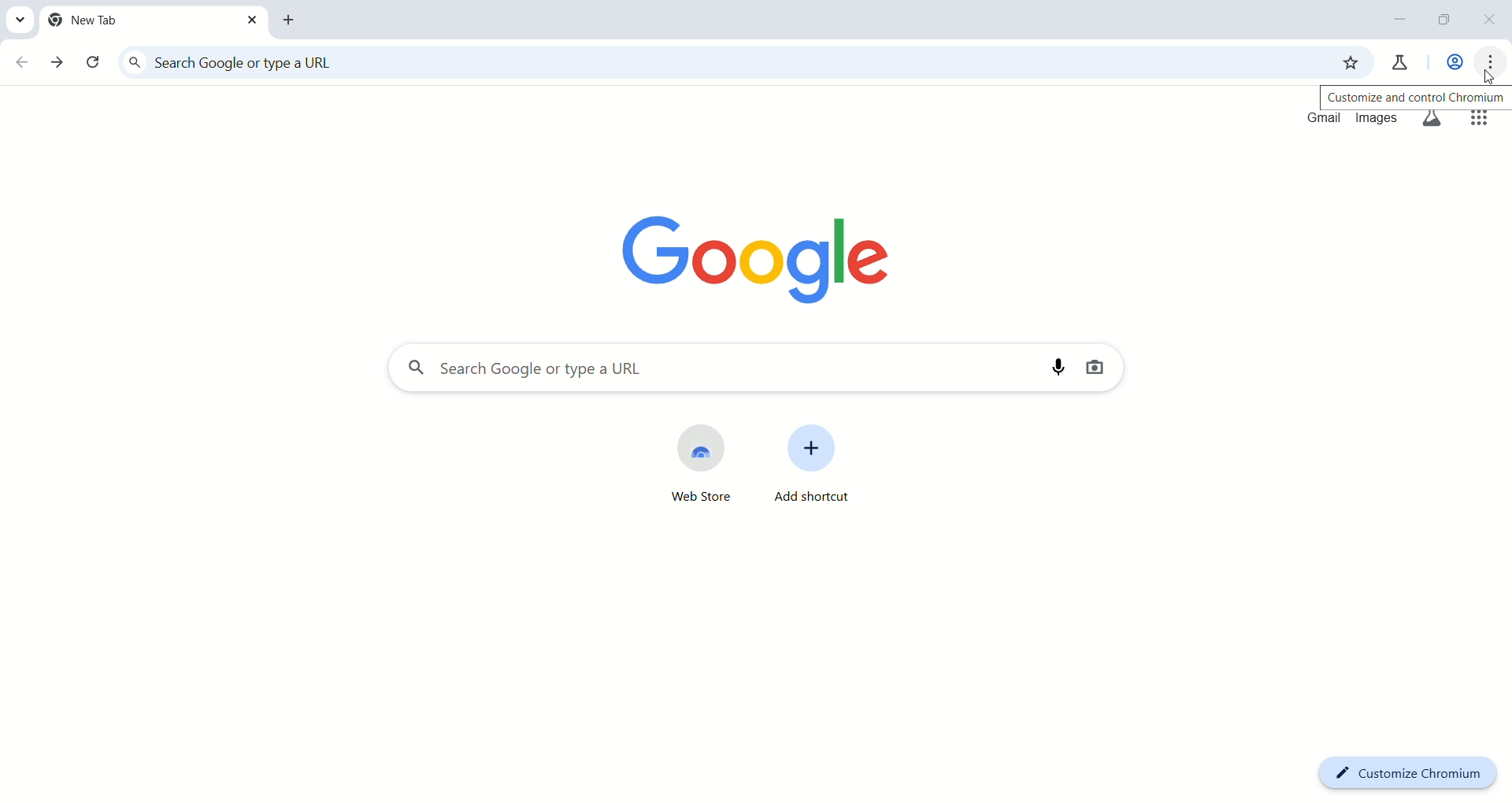  I want to click on go back, so click(23, 63).